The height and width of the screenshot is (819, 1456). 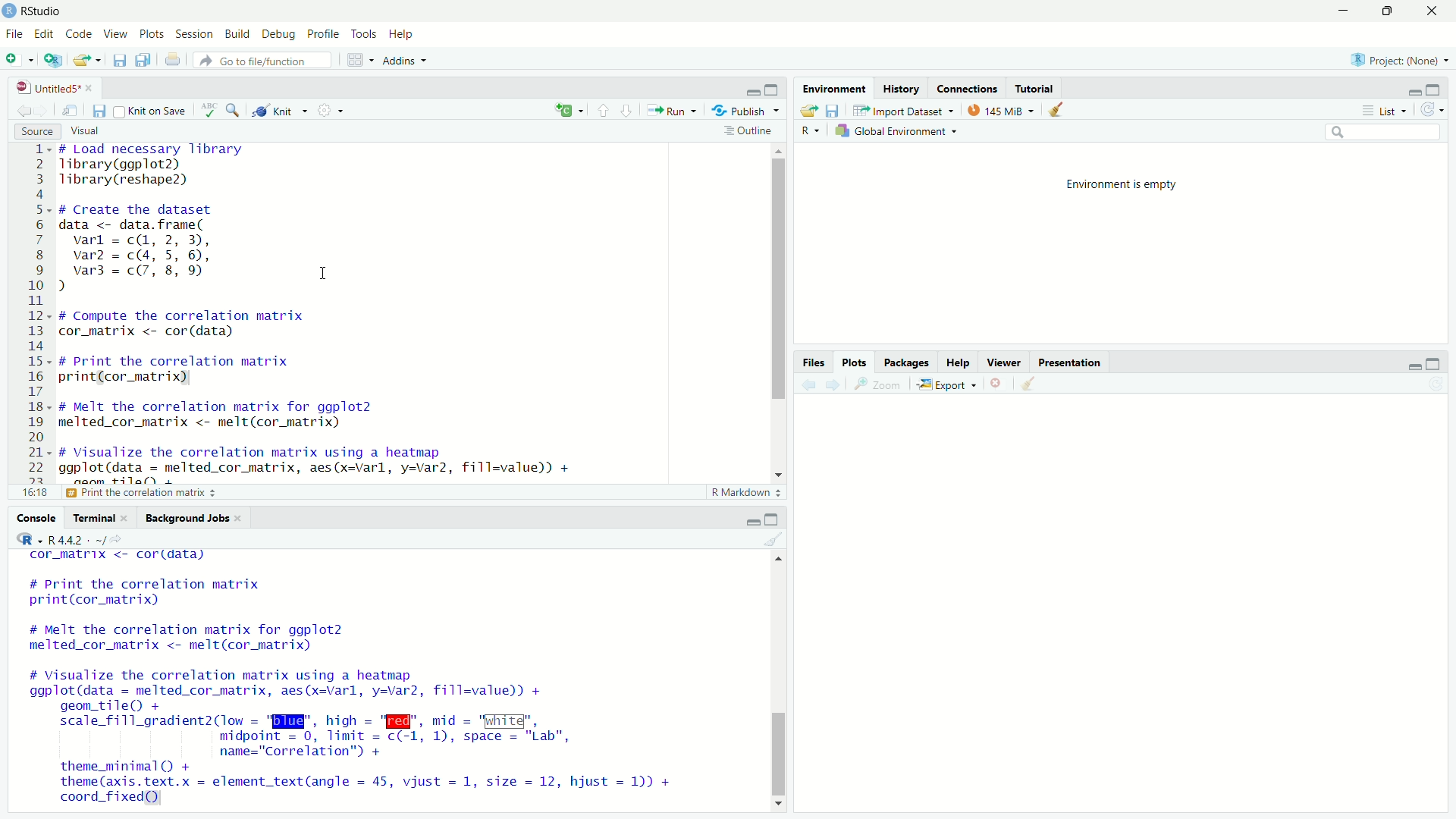 I want to click on save all open documents, so click(x=146, y=59).